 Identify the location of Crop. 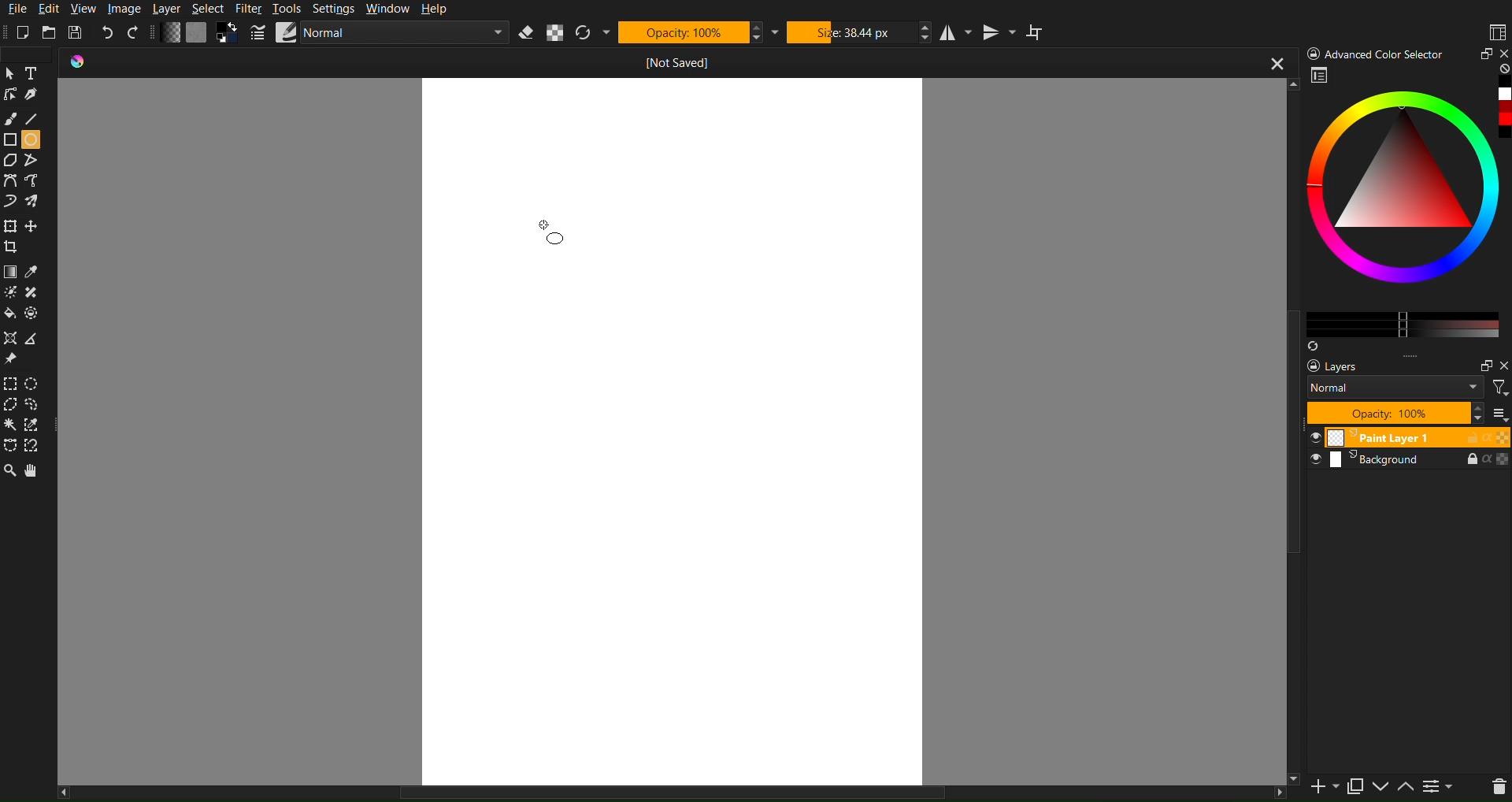
(9, 247).